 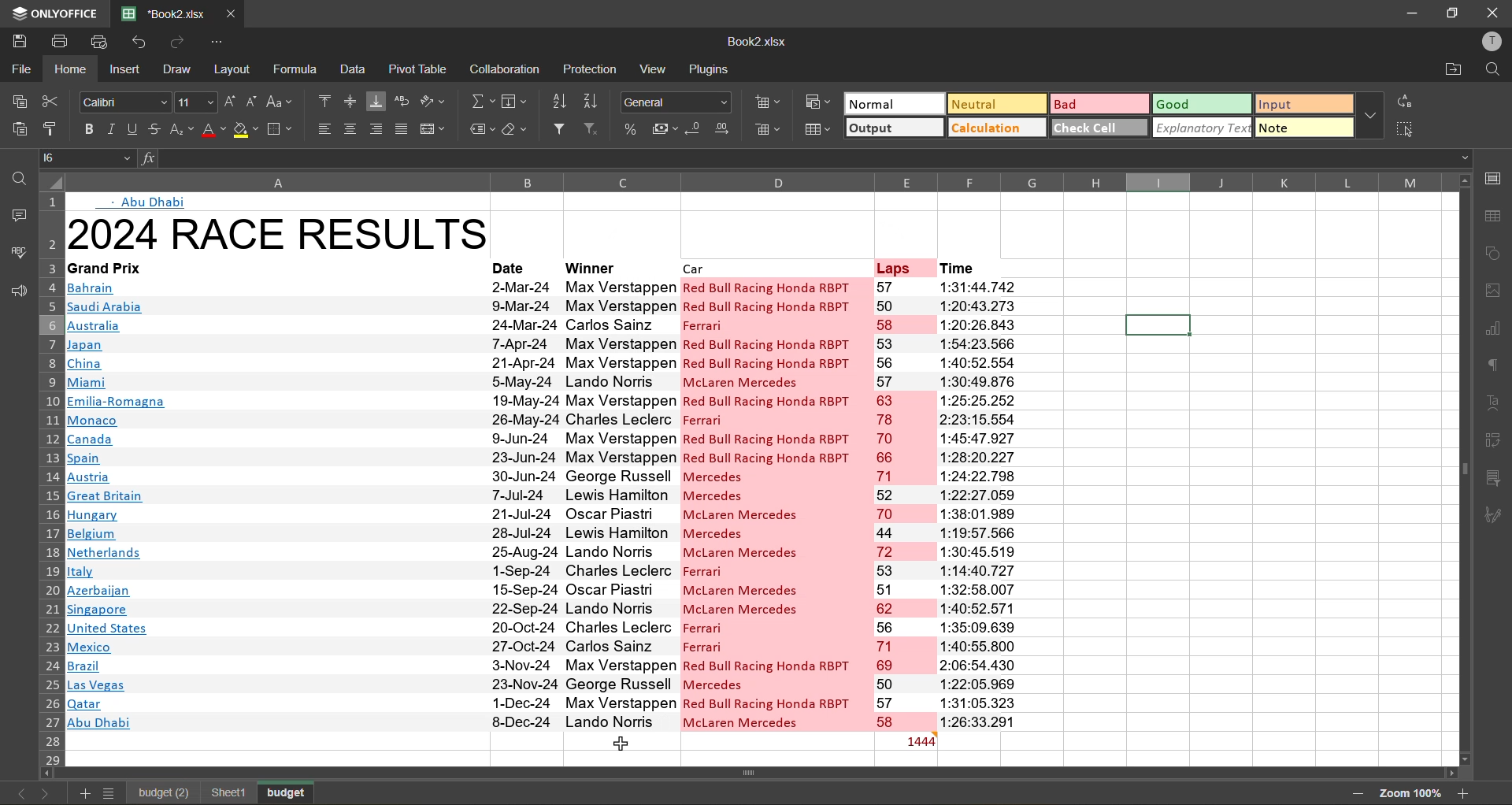 I want to click on layout, so click(x=235, y=69).